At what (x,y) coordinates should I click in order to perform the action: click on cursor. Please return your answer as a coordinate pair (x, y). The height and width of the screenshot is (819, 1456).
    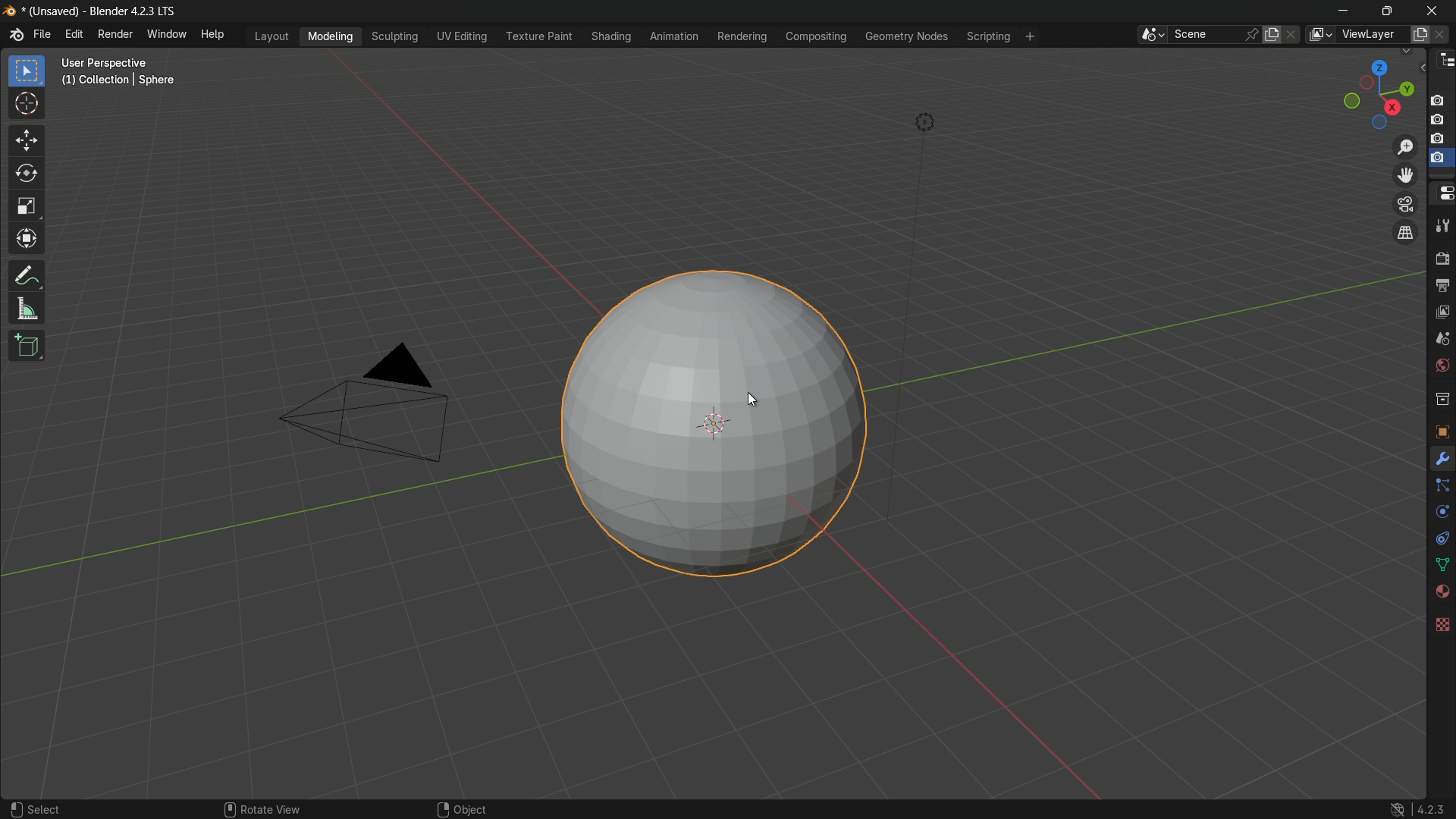
    Looking at the image, I should click on (27, 104).